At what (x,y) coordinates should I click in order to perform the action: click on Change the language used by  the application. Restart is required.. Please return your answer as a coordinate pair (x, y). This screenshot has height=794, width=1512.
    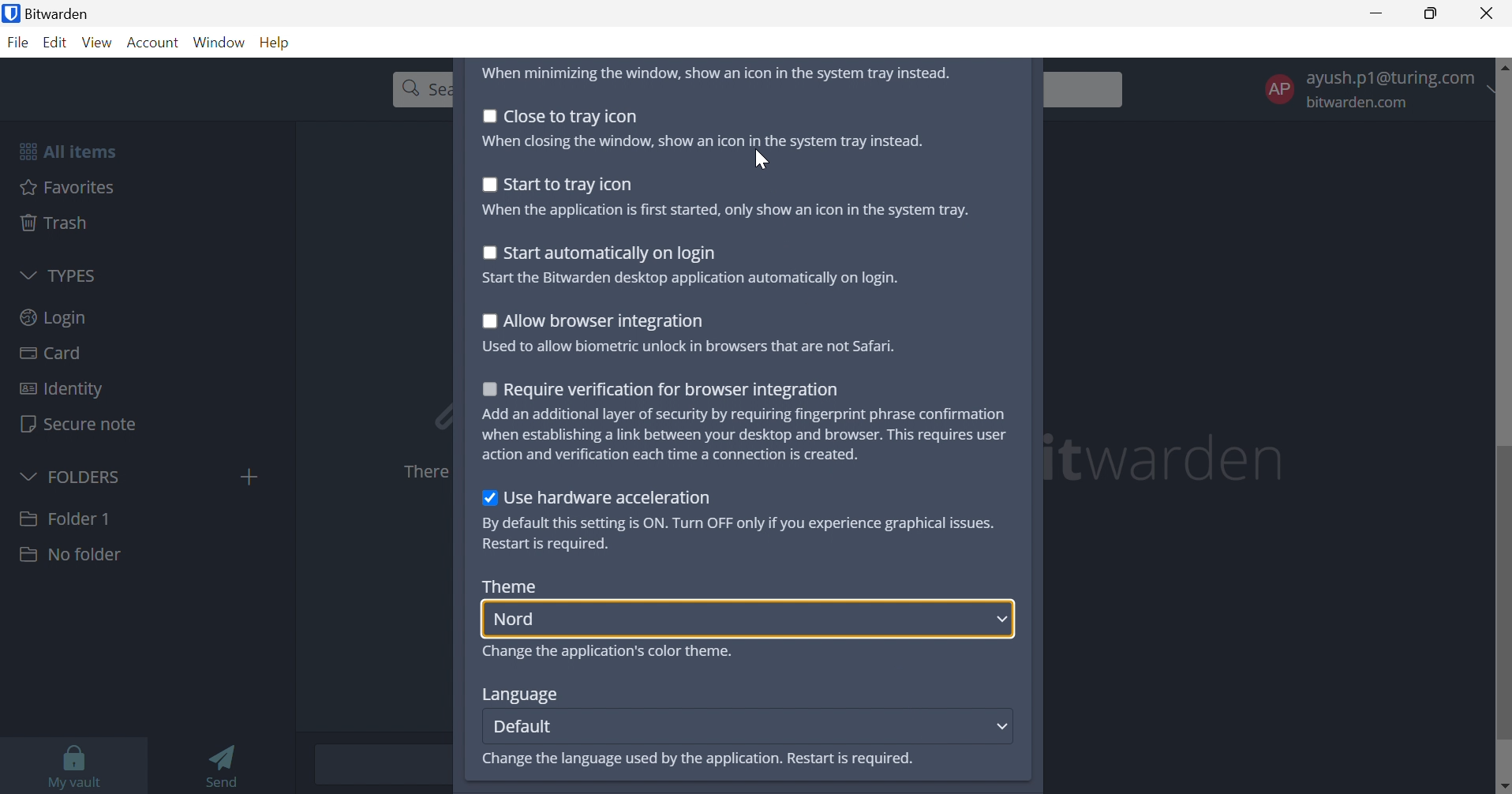
    Looking at the image, I should click on (696, 760).